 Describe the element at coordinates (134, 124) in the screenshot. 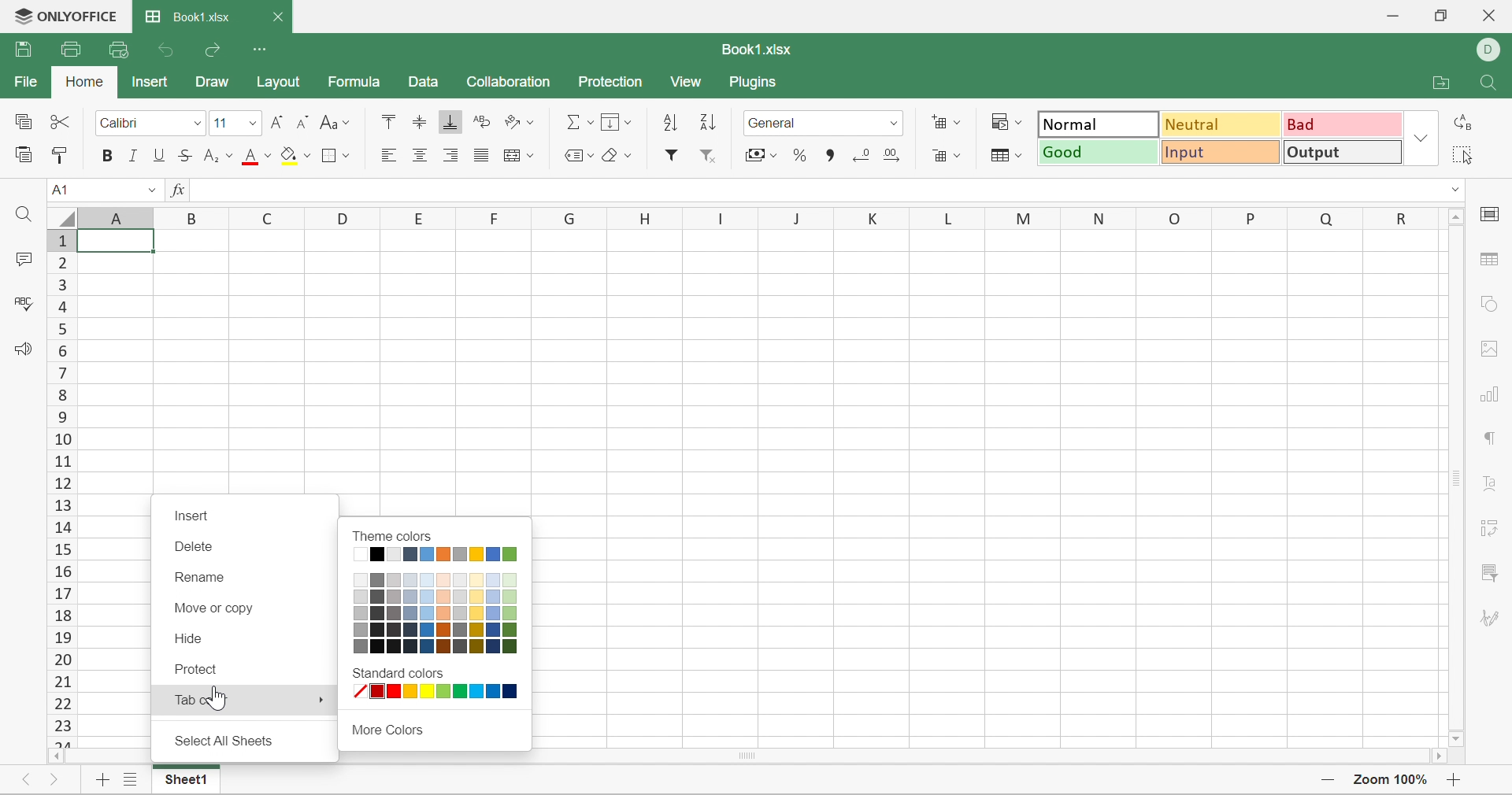

I see `Calibri` at that location.